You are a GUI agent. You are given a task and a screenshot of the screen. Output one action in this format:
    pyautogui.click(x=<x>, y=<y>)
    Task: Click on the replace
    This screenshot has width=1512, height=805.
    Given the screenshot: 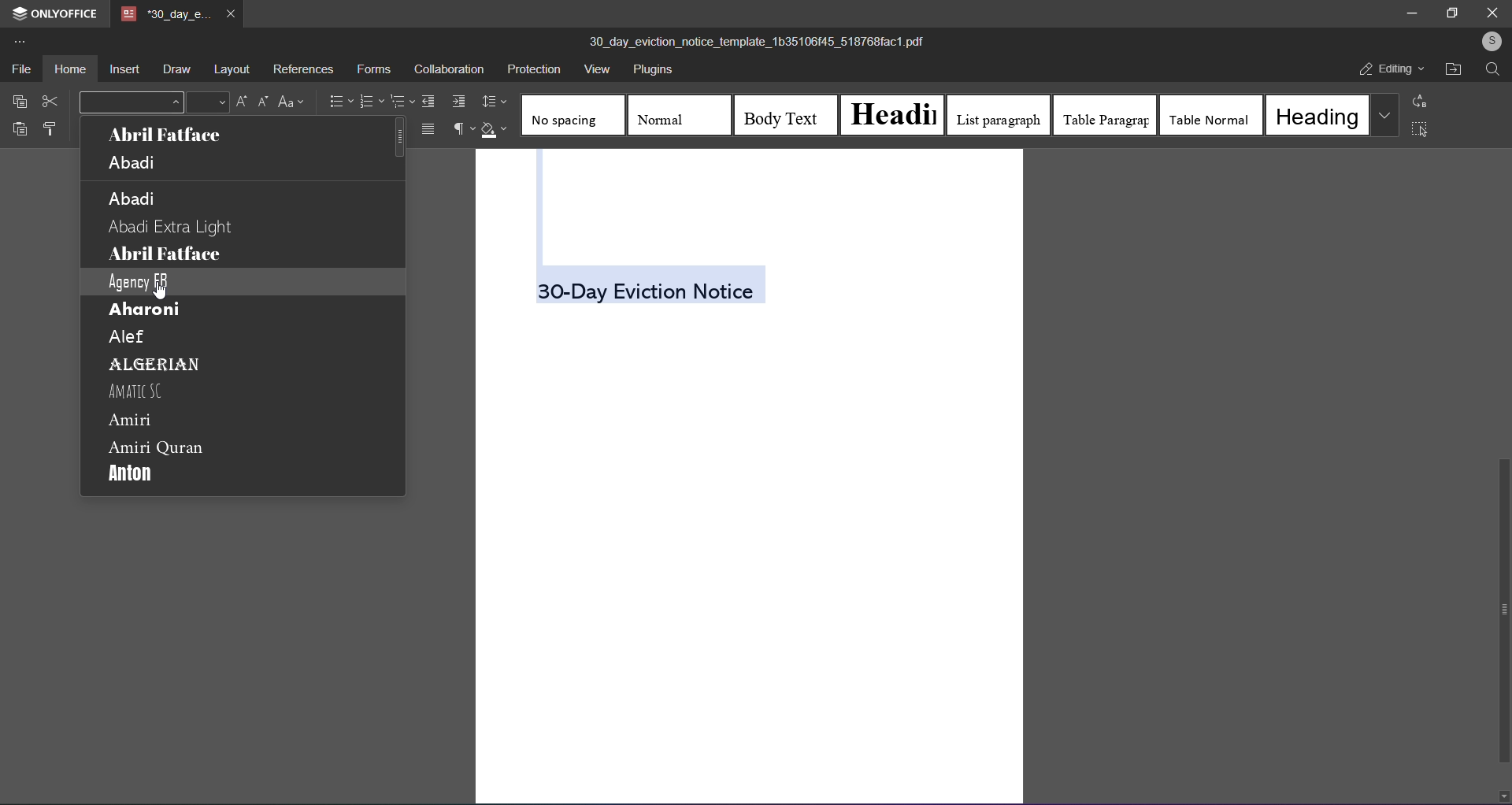 What is the action you would take?
    pyautogui.click(x=1424, y=101)
    